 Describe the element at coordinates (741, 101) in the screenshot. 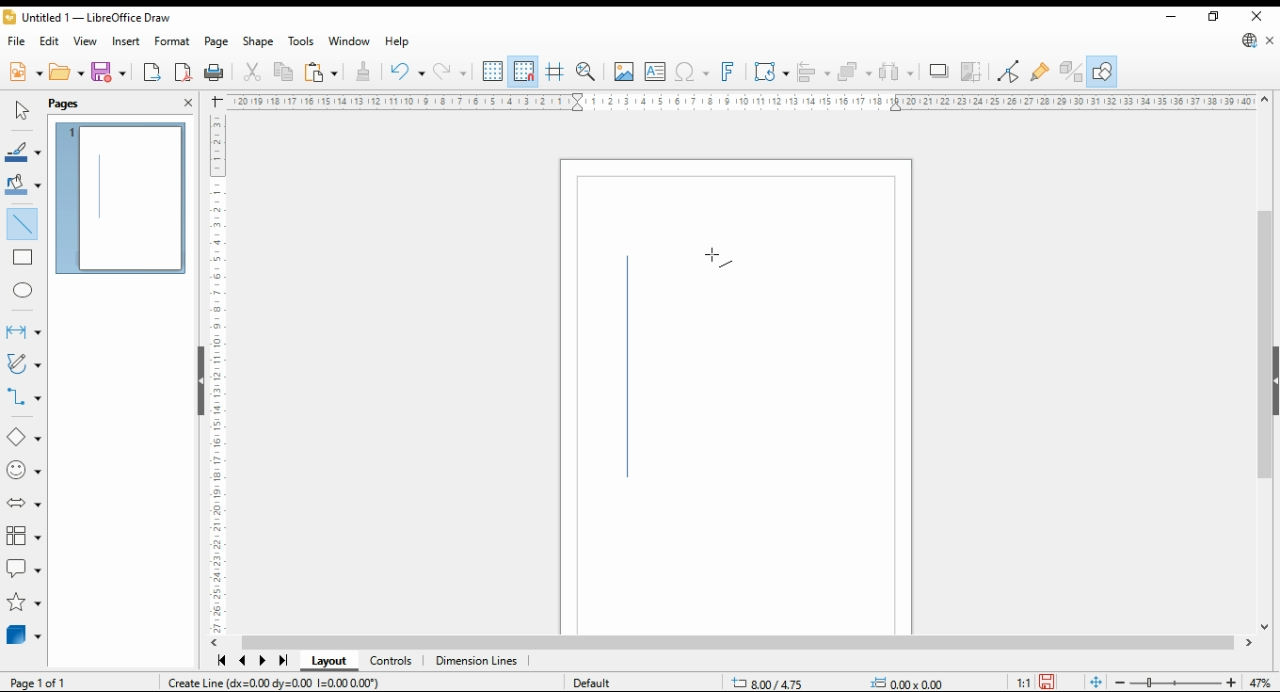

I see `horizontal scale` at that location.